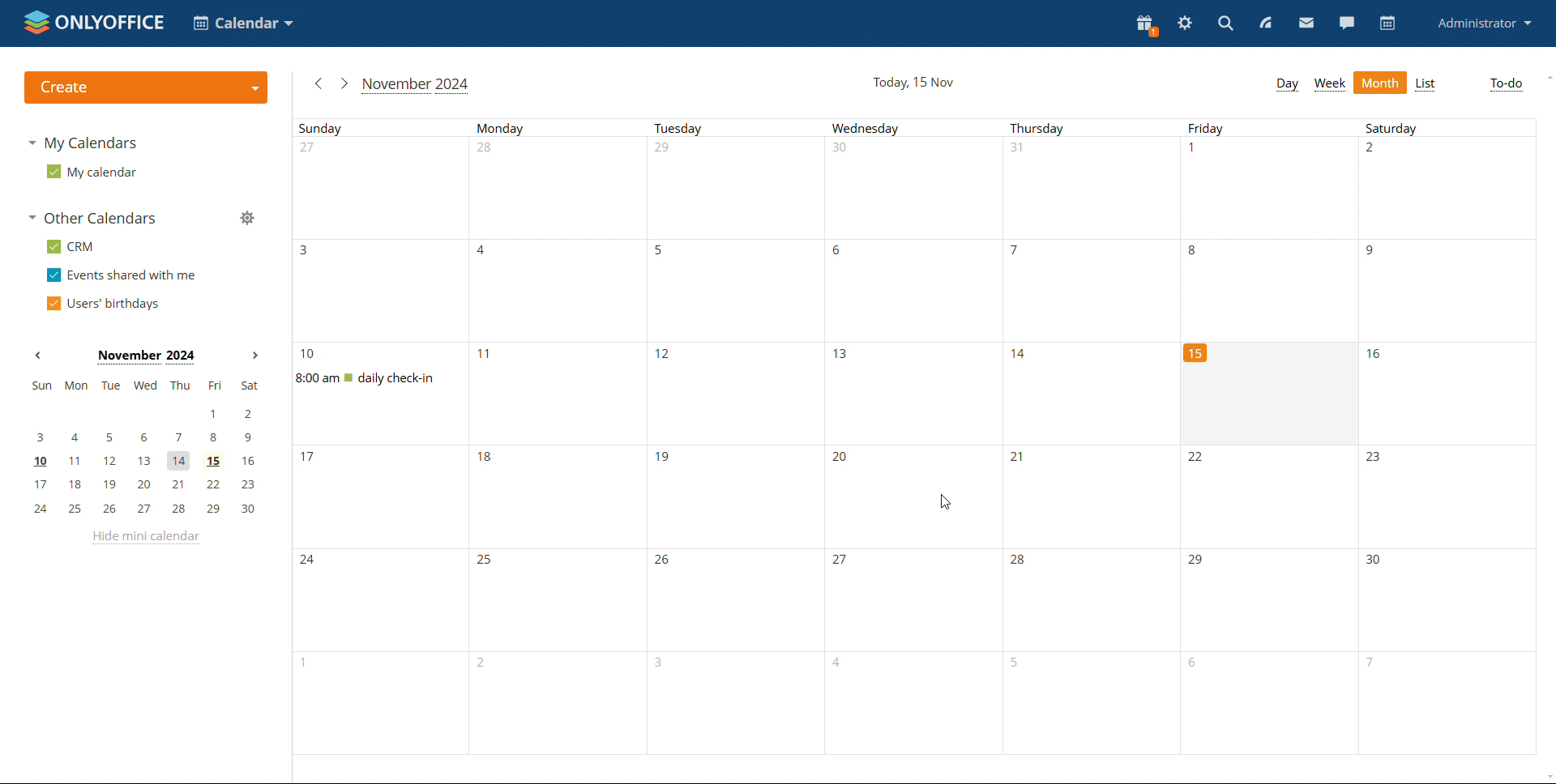 Image resolution: width=1556 pixels, height=784 pixels. What do you see at coordinates (1370, 253) in the screenshot?
I see `Number` at bounding box center [1370, 253].